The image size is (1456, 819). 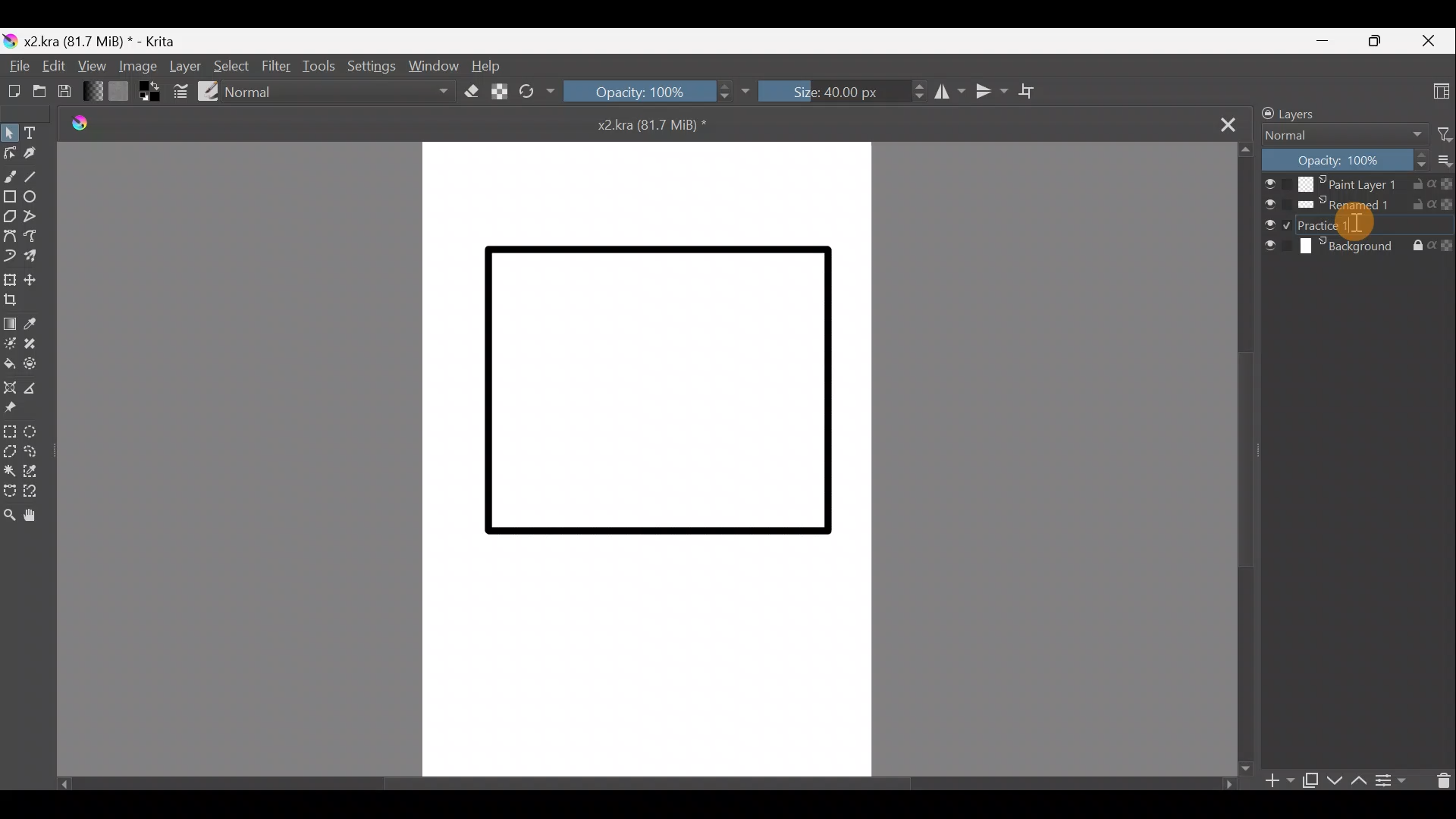 What do you see at coordinates (146, 93) in the screenshot?
I see `Set foreground & background colors` at bounding box center [146, 93].